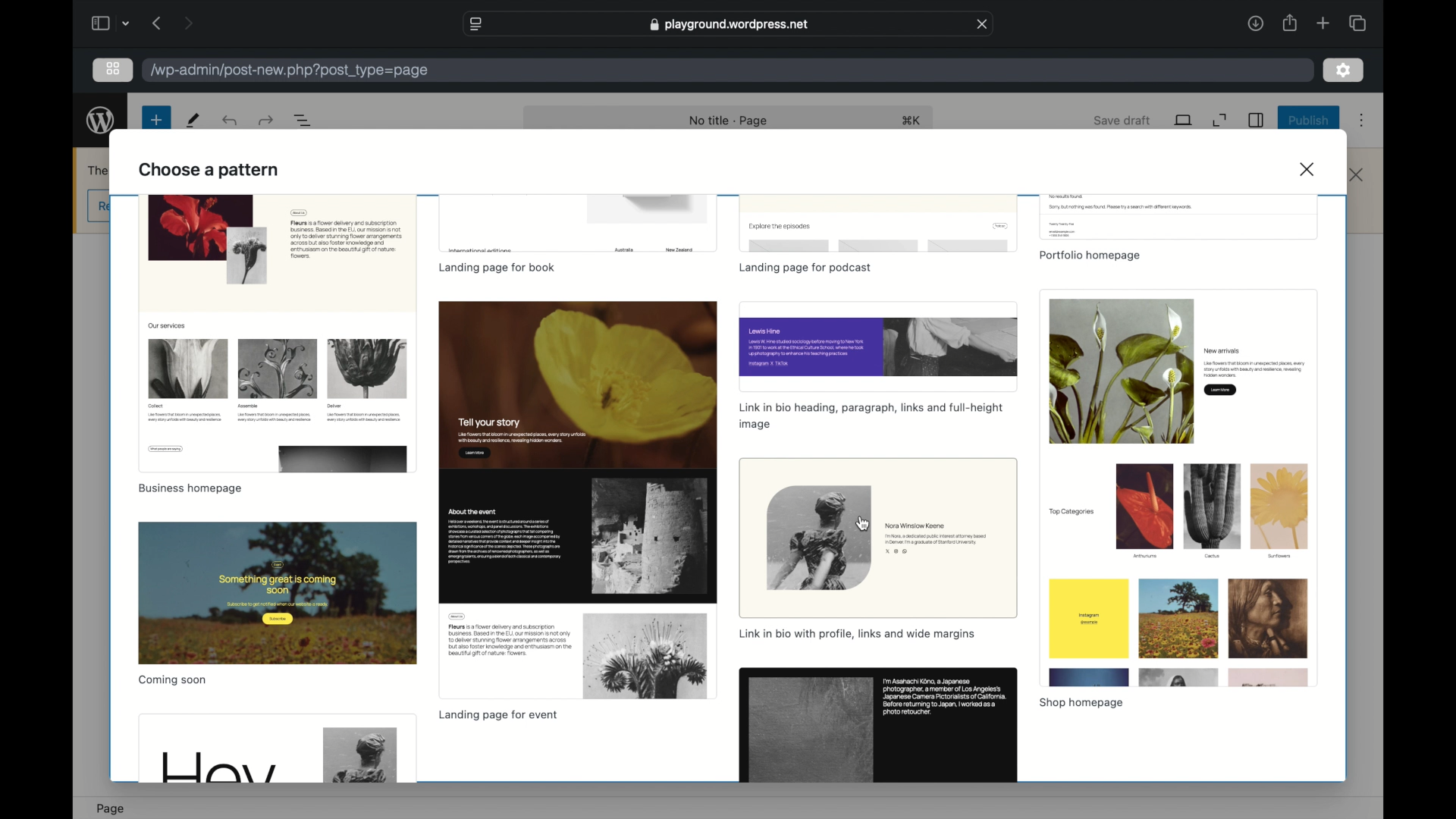  What do you see at coordinates (1185, 120) in the screenshot?
I see `view` at bounding box center [1185, 120].